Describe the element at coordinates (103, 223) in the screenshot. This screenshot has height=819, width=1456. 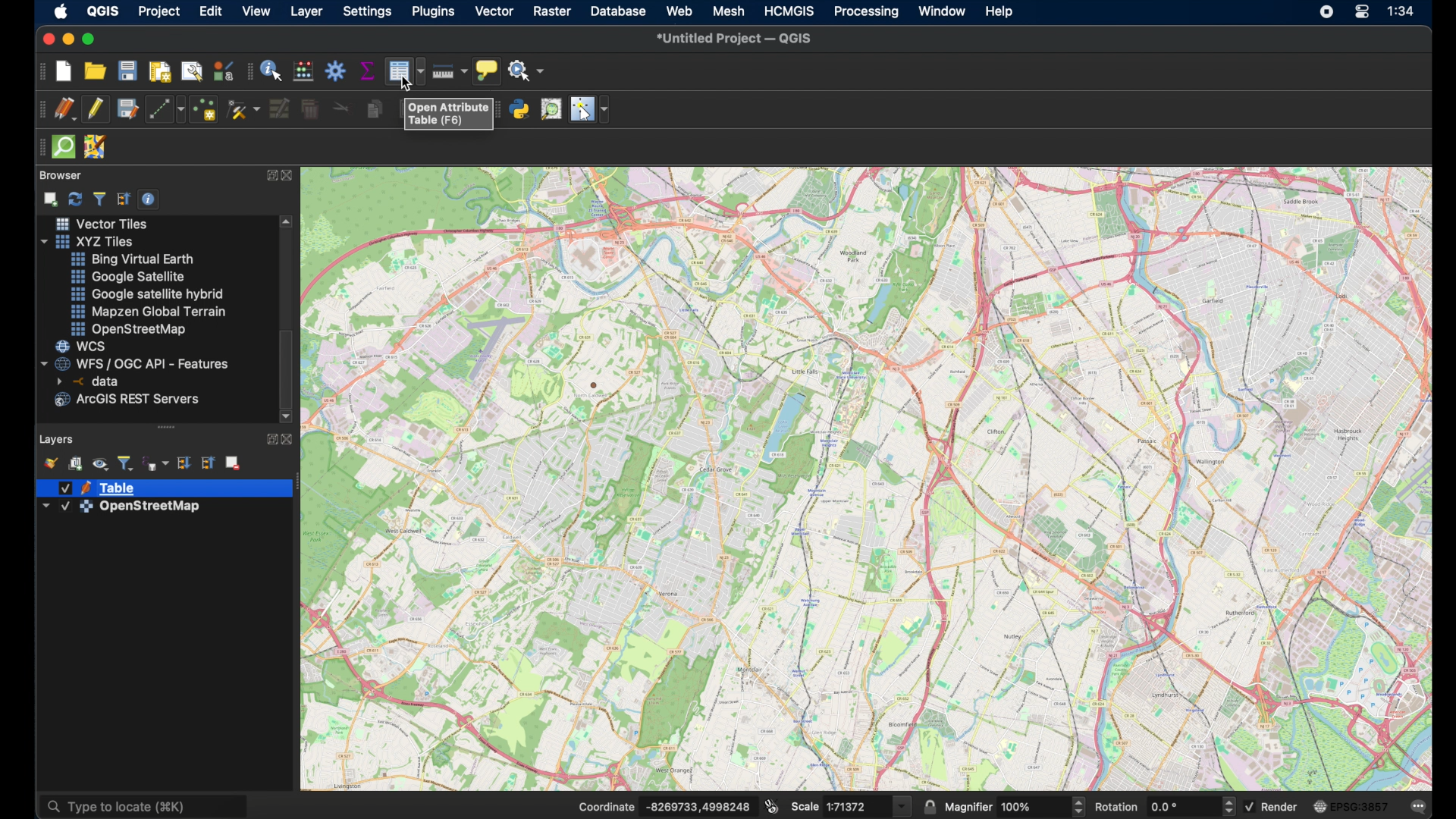
I see `vector tiles` at that location.